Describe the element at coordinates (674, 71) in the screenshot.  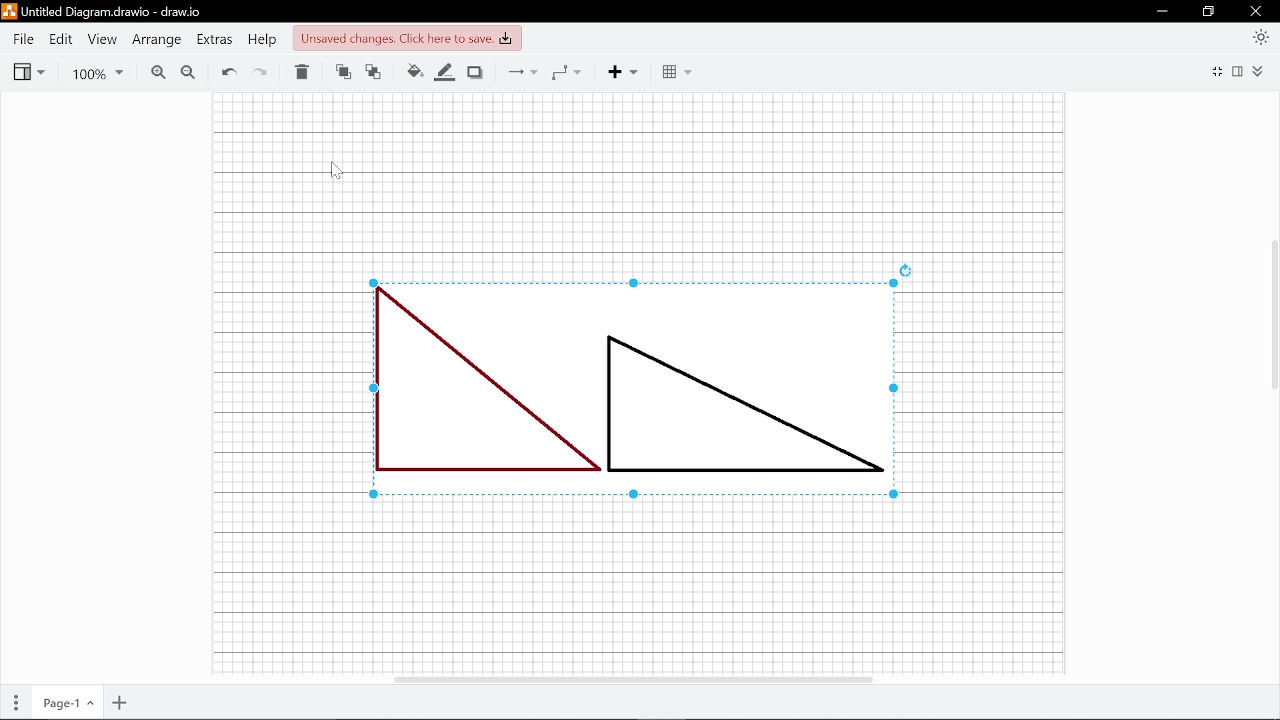
I see `Table` at that location.